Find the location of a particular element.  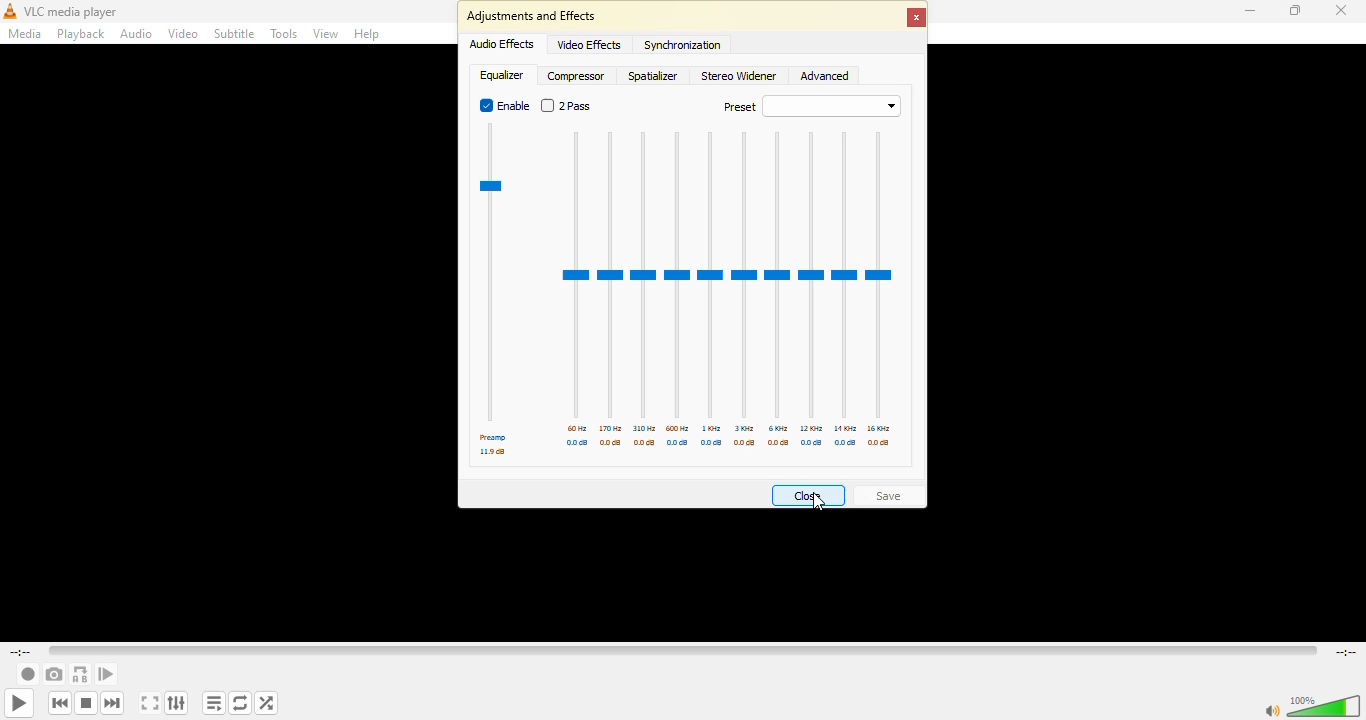

adjustments and effects is located at coordinates (532, 16).